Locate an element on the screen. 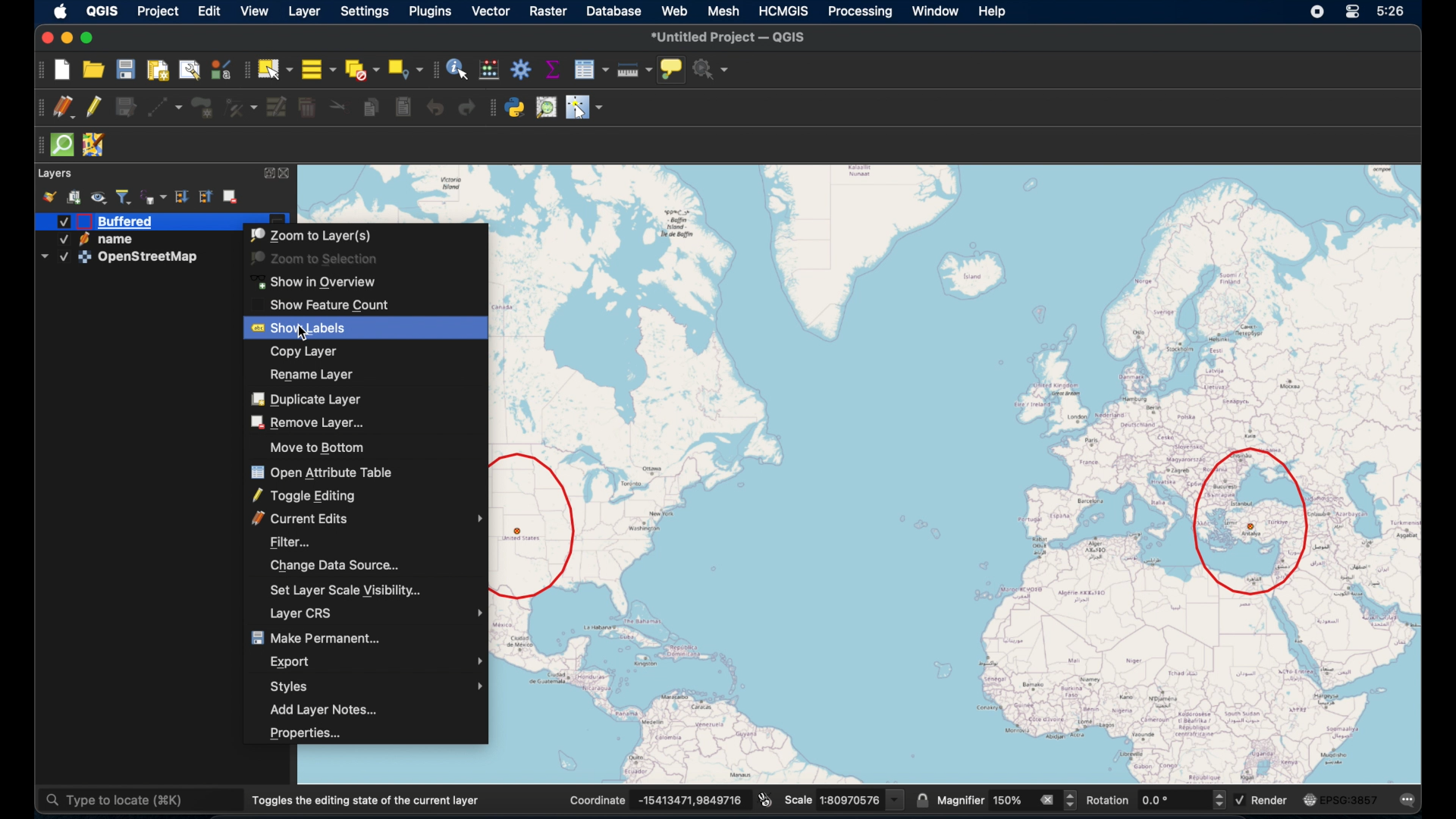  magnifier is located at coordinates (959, 799).